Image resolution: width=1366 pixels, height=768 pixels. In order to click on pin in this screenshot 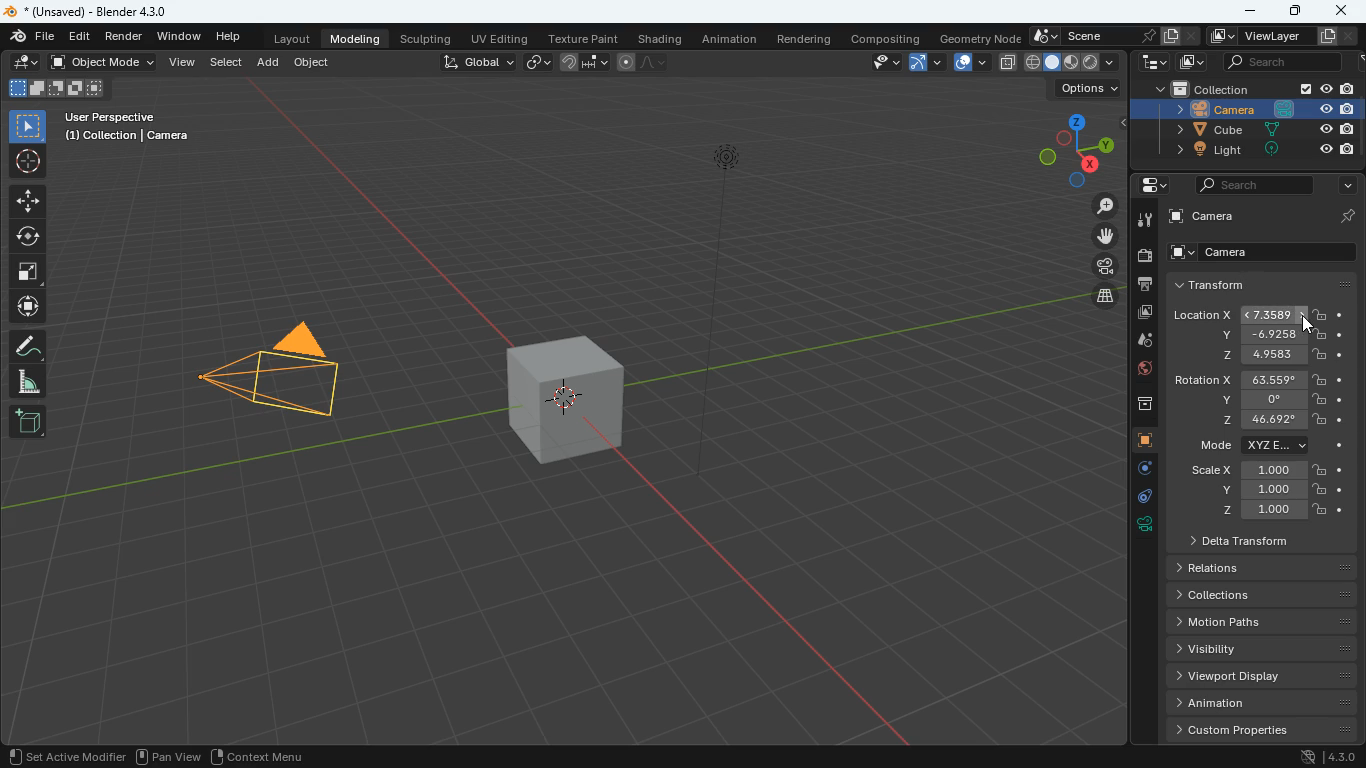, I will do `click(1349, 218)`.